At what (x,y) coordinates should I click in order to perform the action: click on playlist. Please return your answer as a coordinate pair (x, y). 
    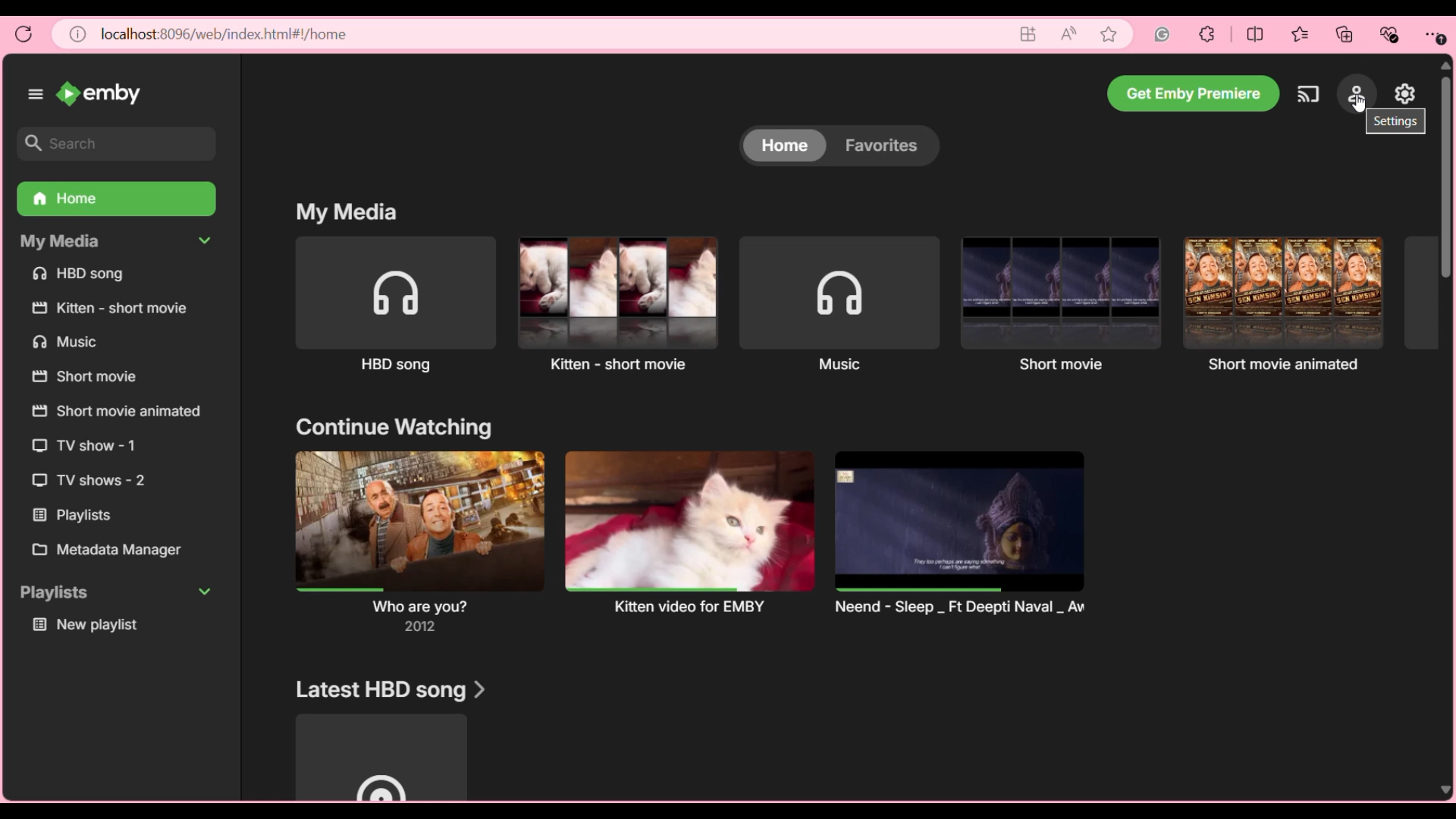
    Looking at the image, I should click on (58, 594).